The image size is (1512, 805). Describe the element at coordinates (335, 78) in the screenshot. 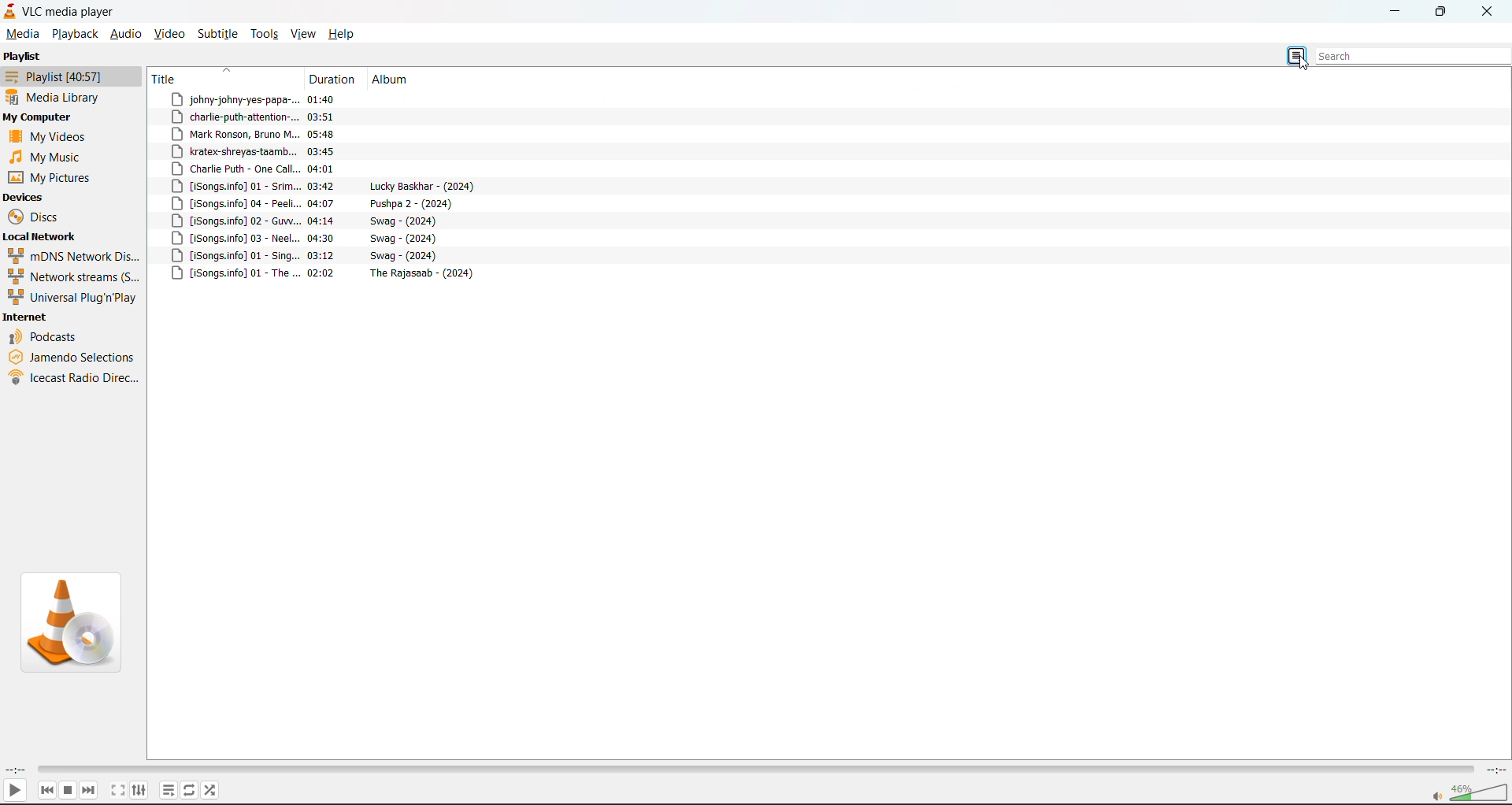

I see `duration` at that location.